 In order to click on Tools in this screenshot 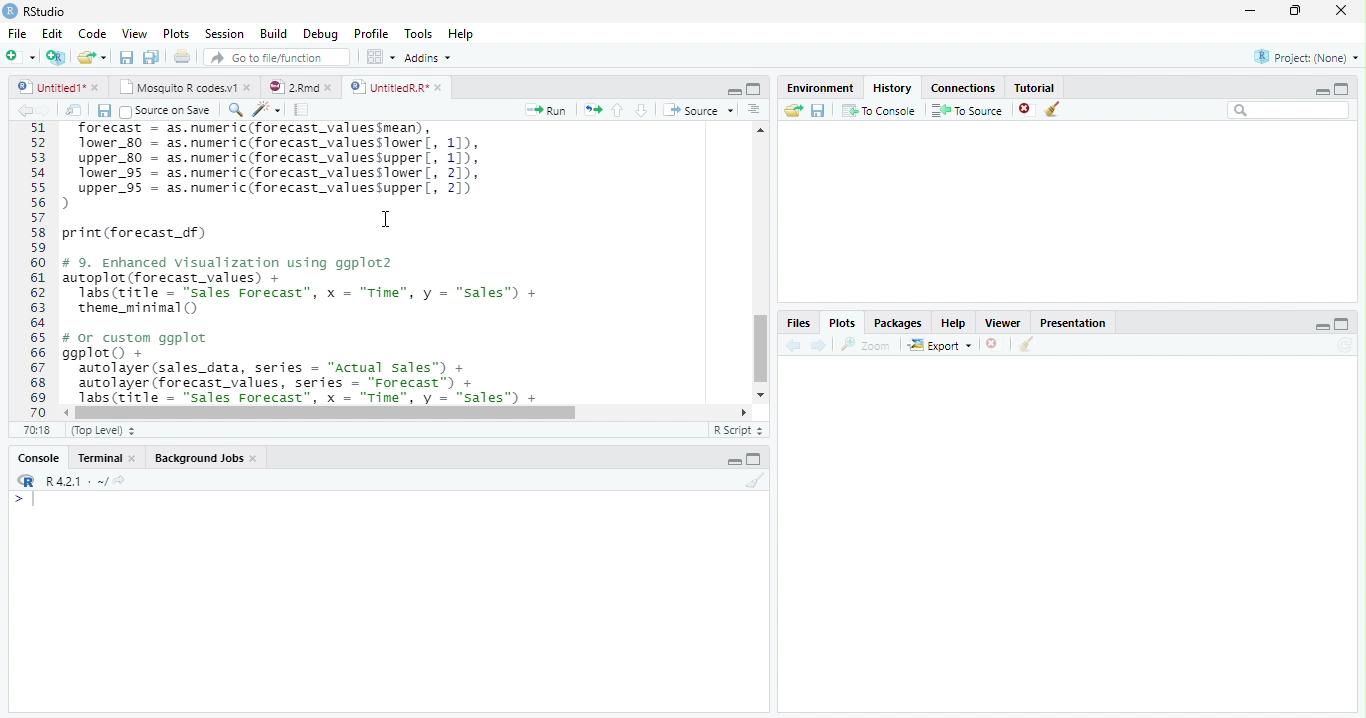, I will do `click(417, 33)`.